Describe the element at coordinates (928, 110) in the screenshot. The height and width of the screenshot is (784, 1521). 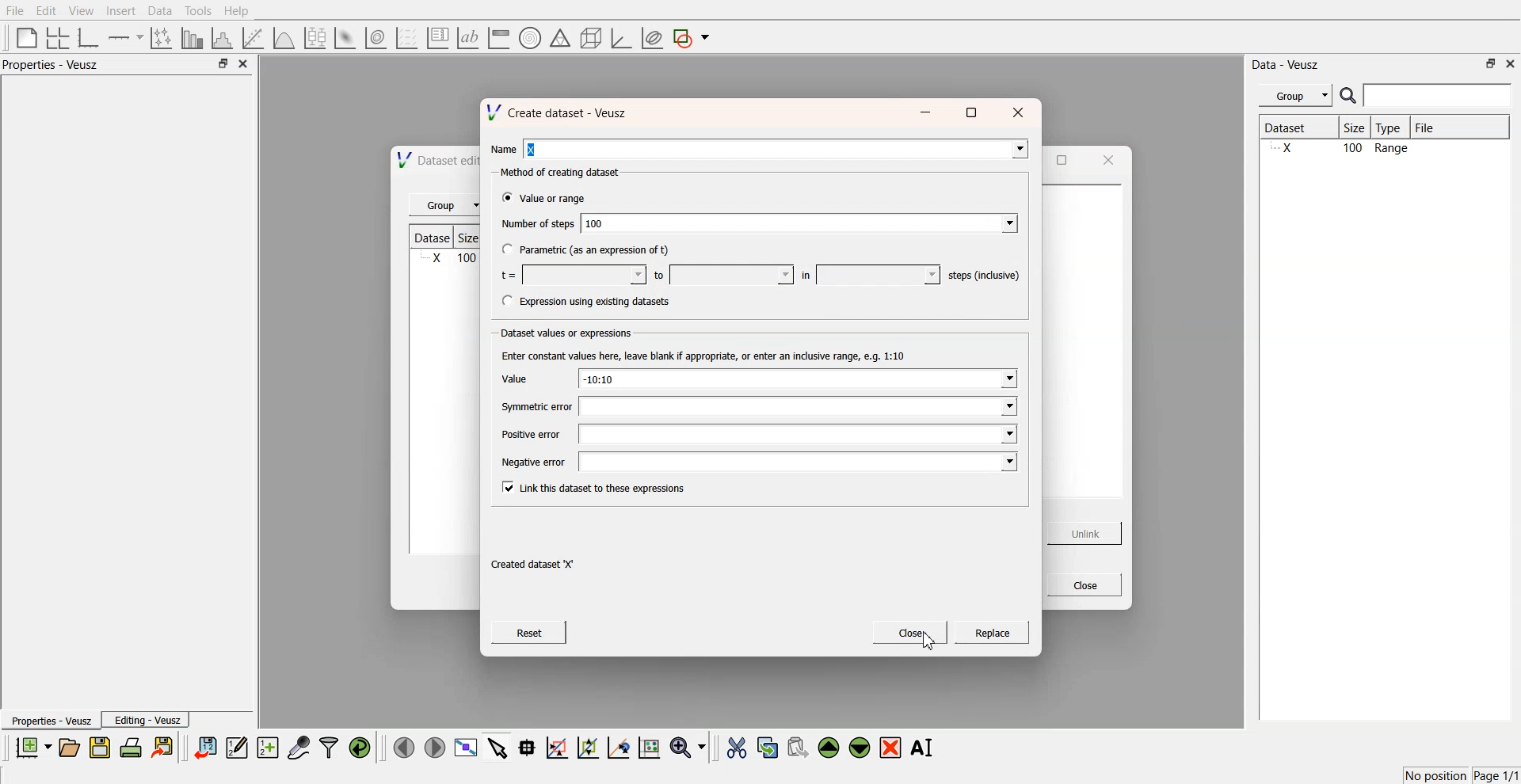
I see `minimise` at that location.